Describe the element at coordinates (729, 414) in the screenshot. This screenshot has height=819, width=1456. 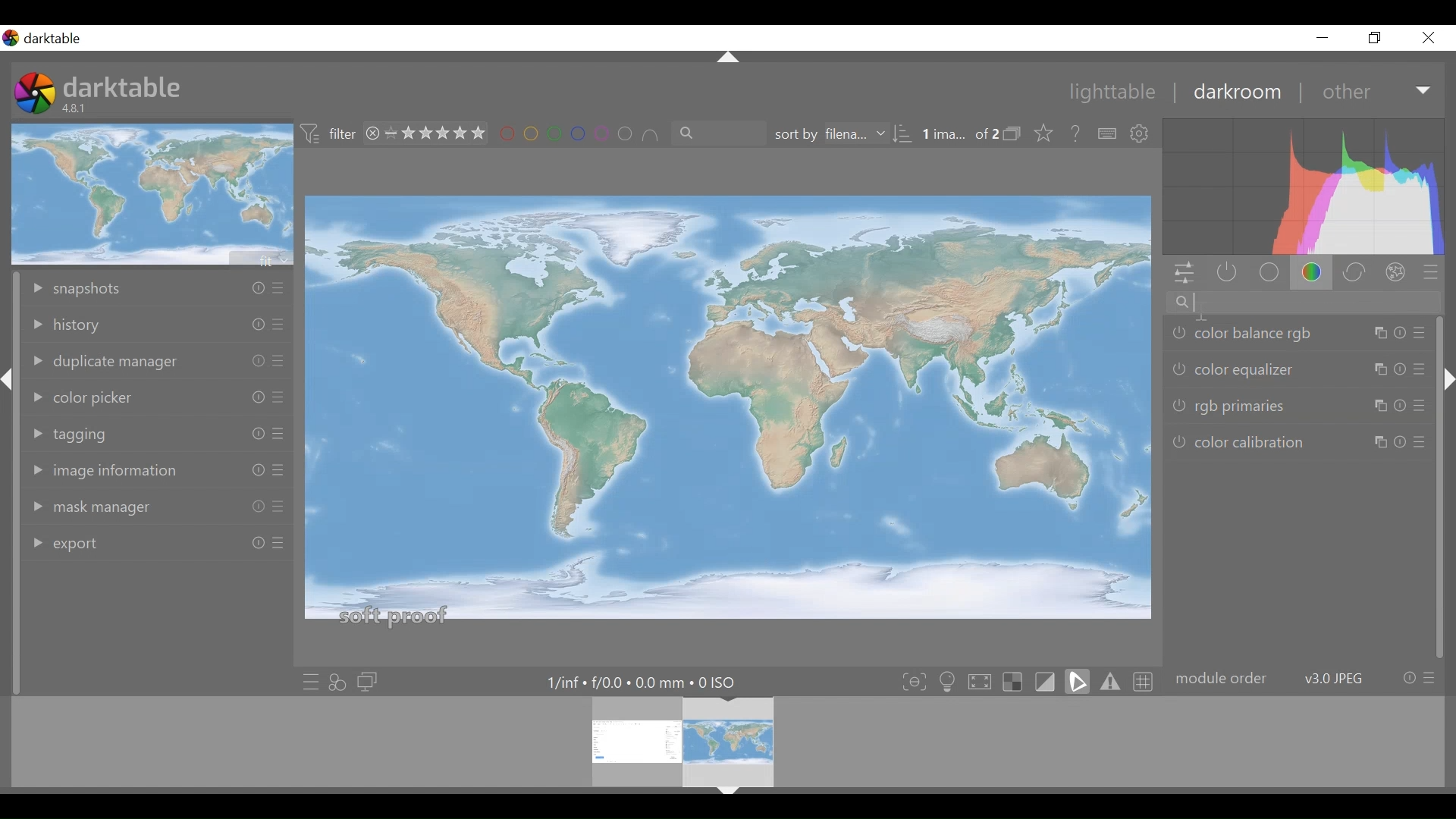
I see `main editing area` at that location.